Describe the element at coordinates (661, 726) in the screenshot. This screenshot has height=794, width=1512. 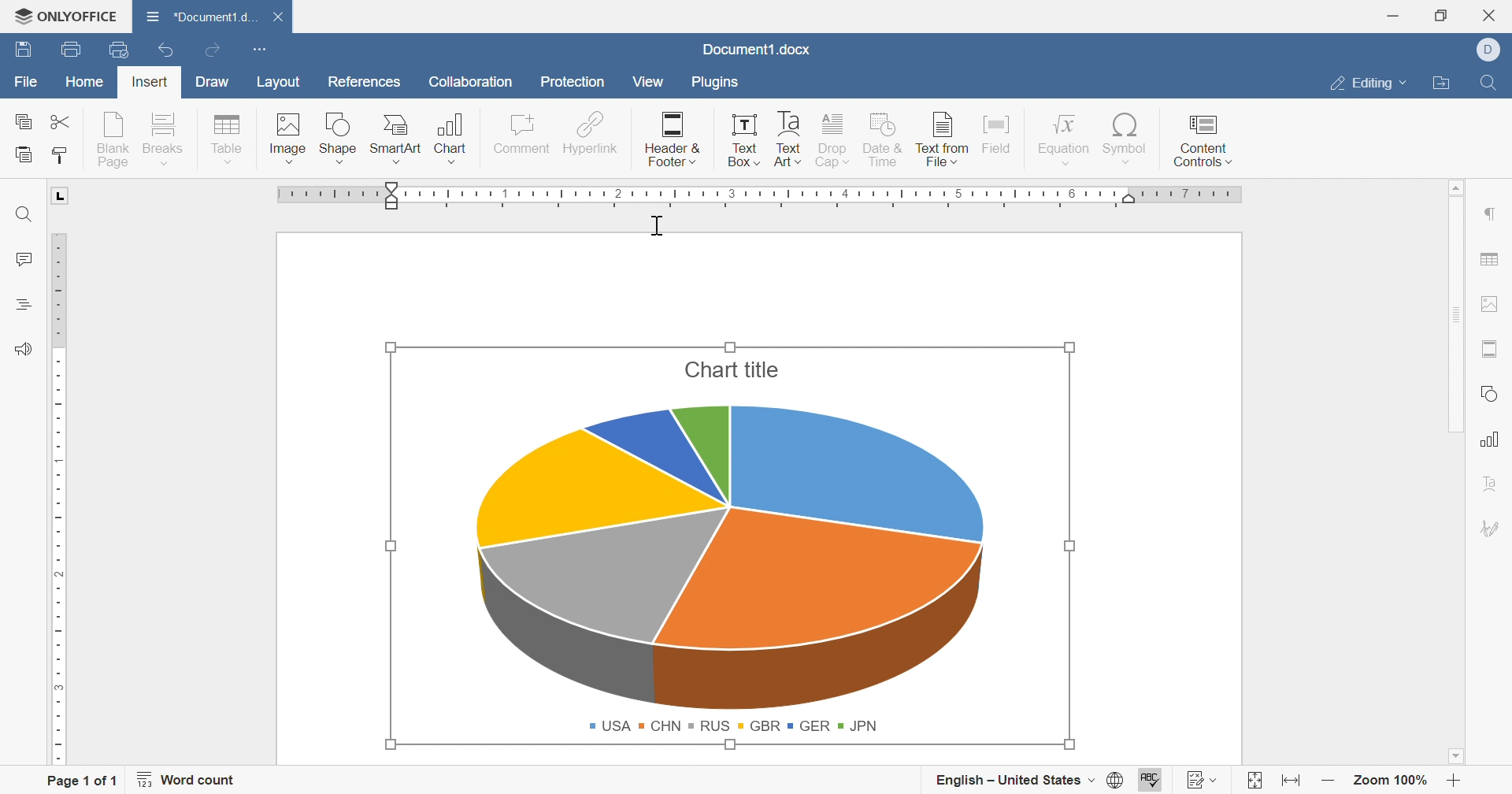
I see `CHN` at that location.